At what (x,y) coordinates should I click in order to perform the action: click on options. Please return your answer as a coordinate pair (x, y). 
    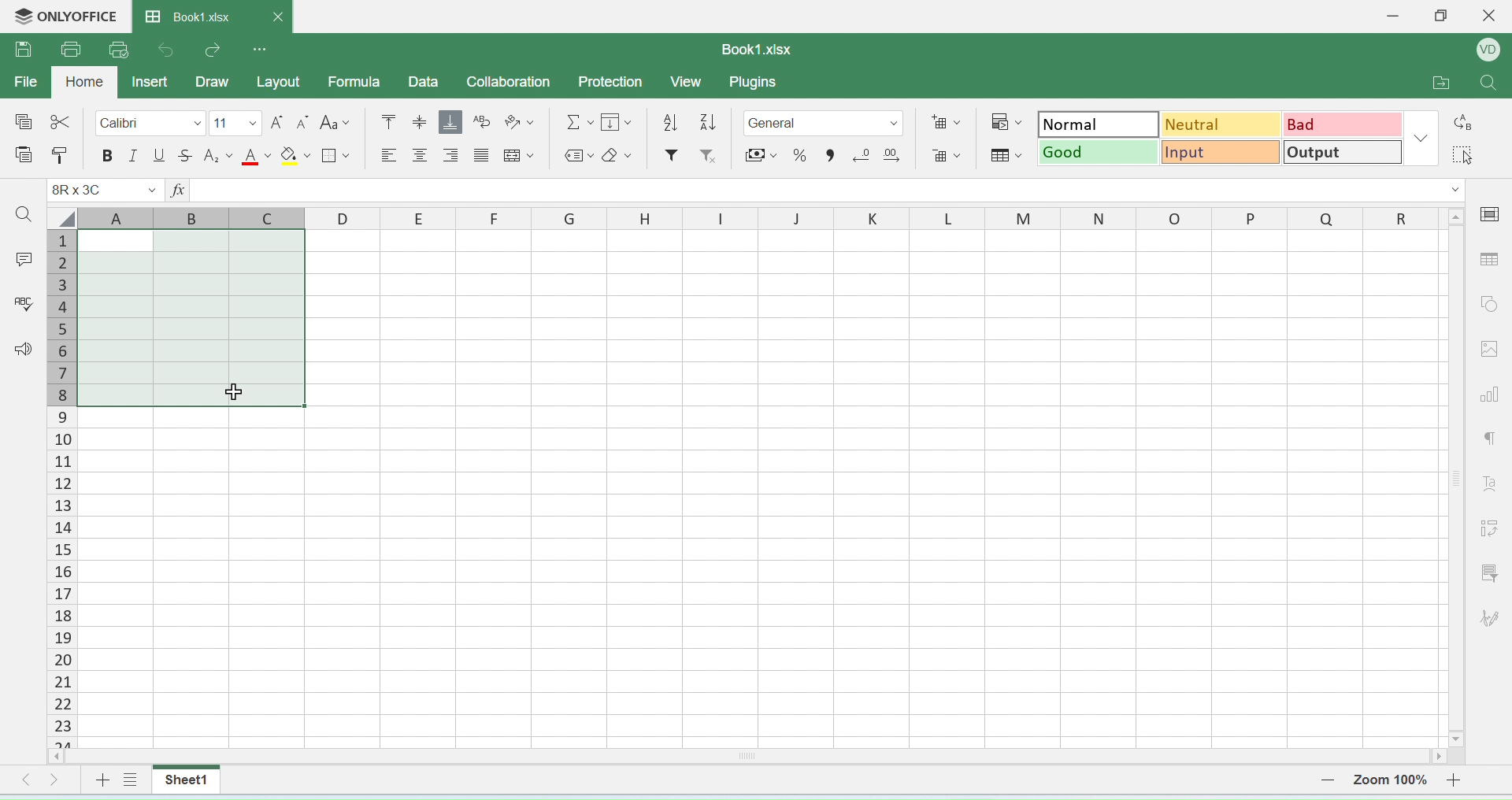
    Looking at the image, I should click on (258, 47).